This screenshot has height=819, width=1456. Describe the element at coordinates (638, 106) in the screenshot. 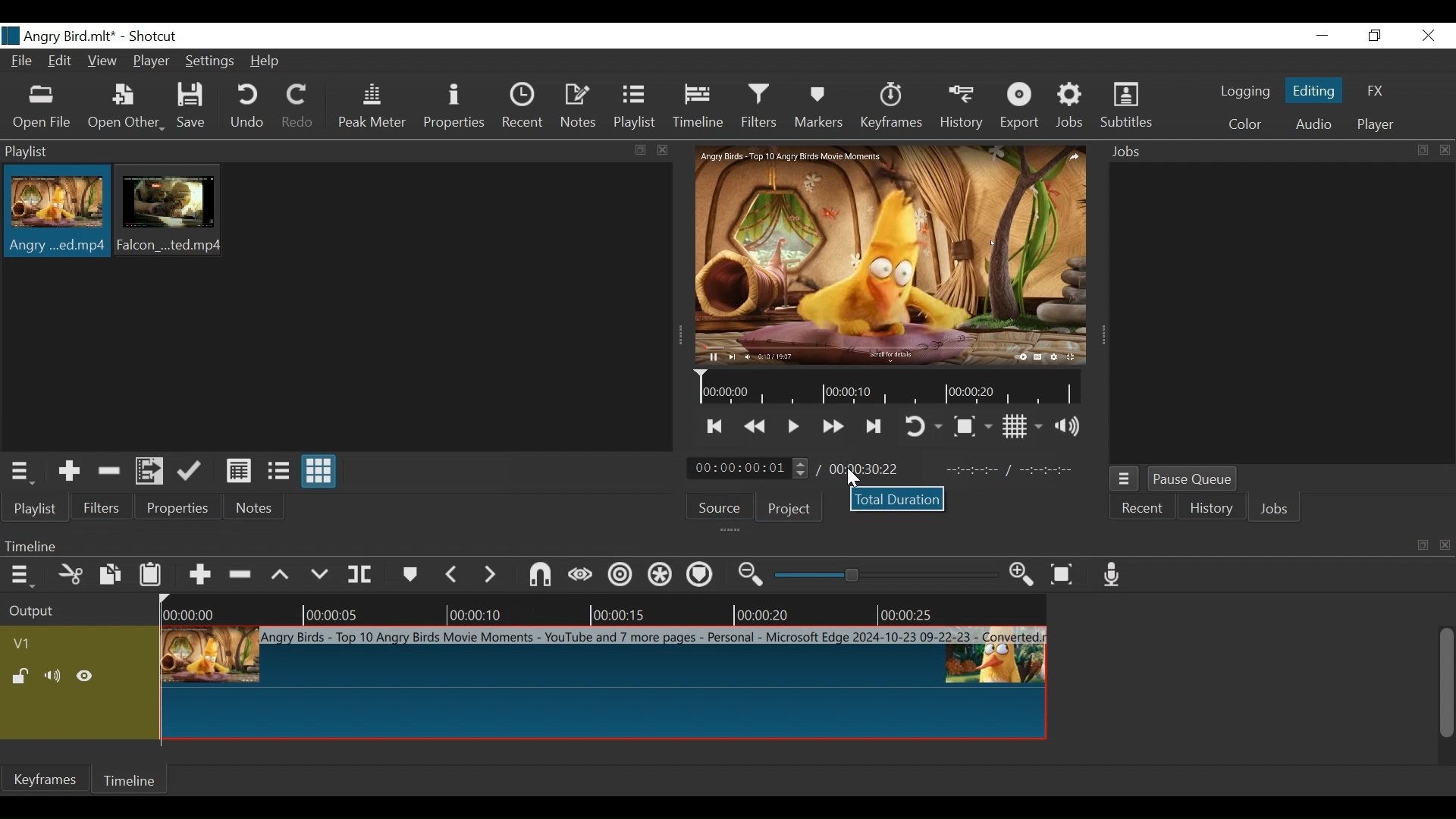

I see `Playlist` at that location.